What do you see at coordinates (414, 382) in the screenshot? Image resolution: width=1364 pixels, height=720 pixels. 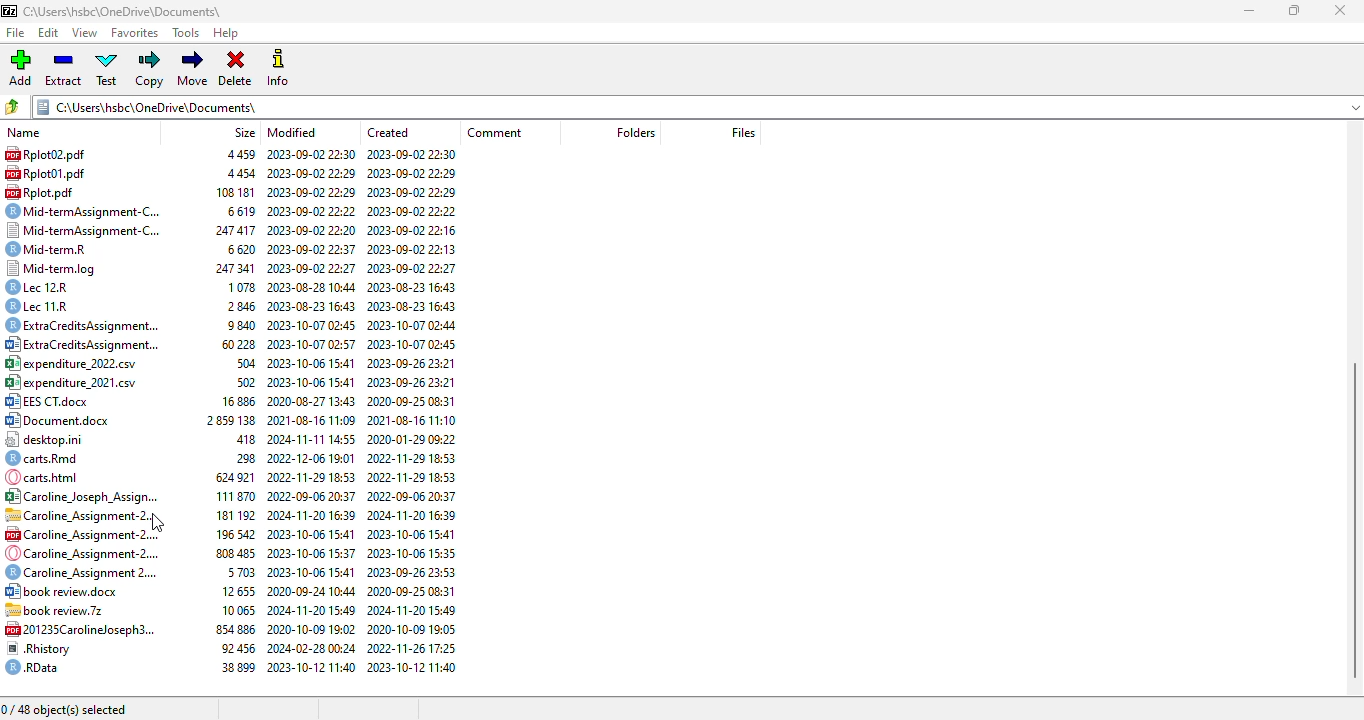 I see `2003-00-76 22.91` at bounding box center [414, 382].